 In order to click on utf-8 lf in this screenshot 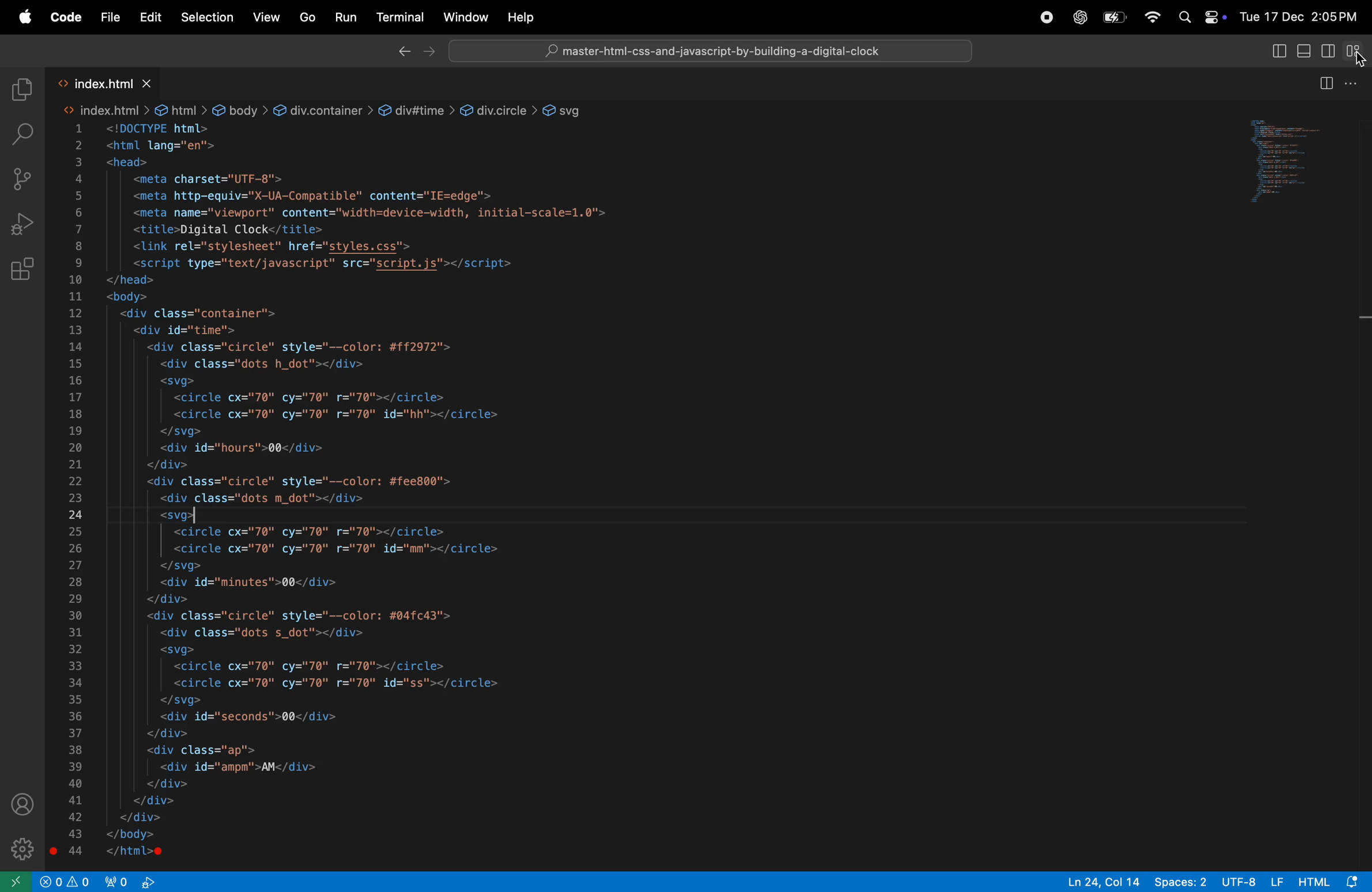, I will do `click(1249, 882)`.